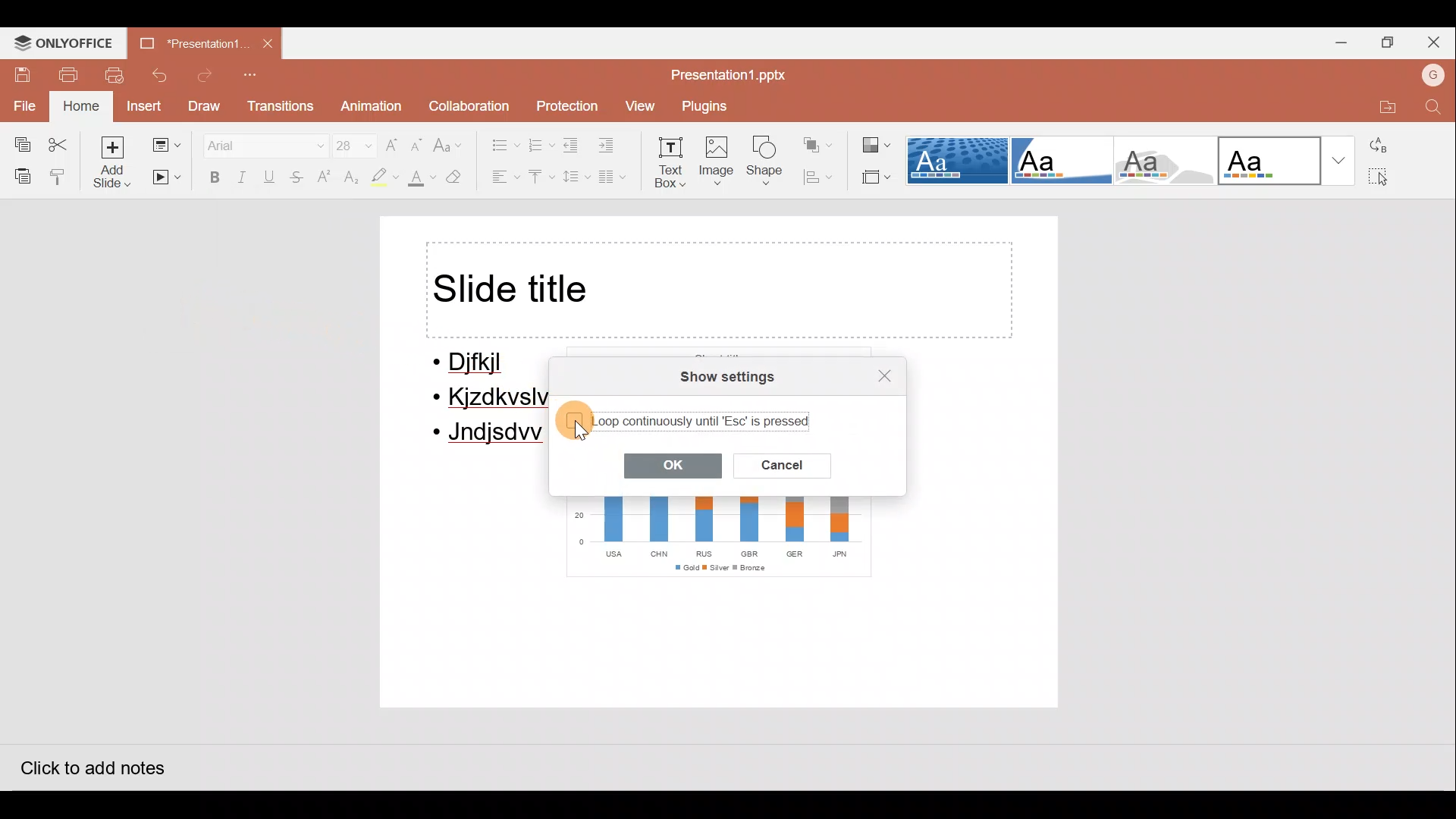  I want to click on Insert columns, so click(613, 175).